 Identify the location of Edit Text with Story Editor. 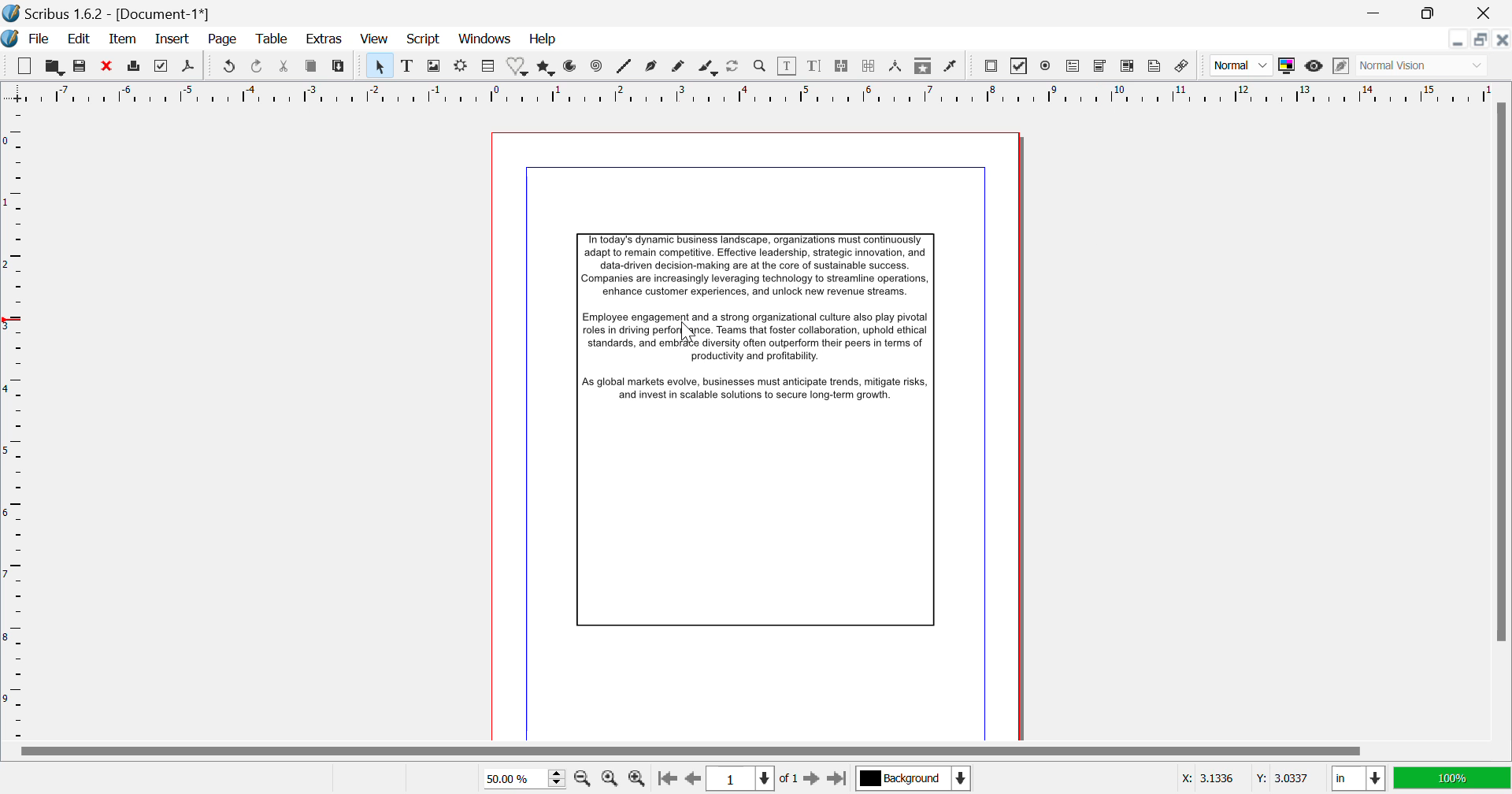
(817, 66).